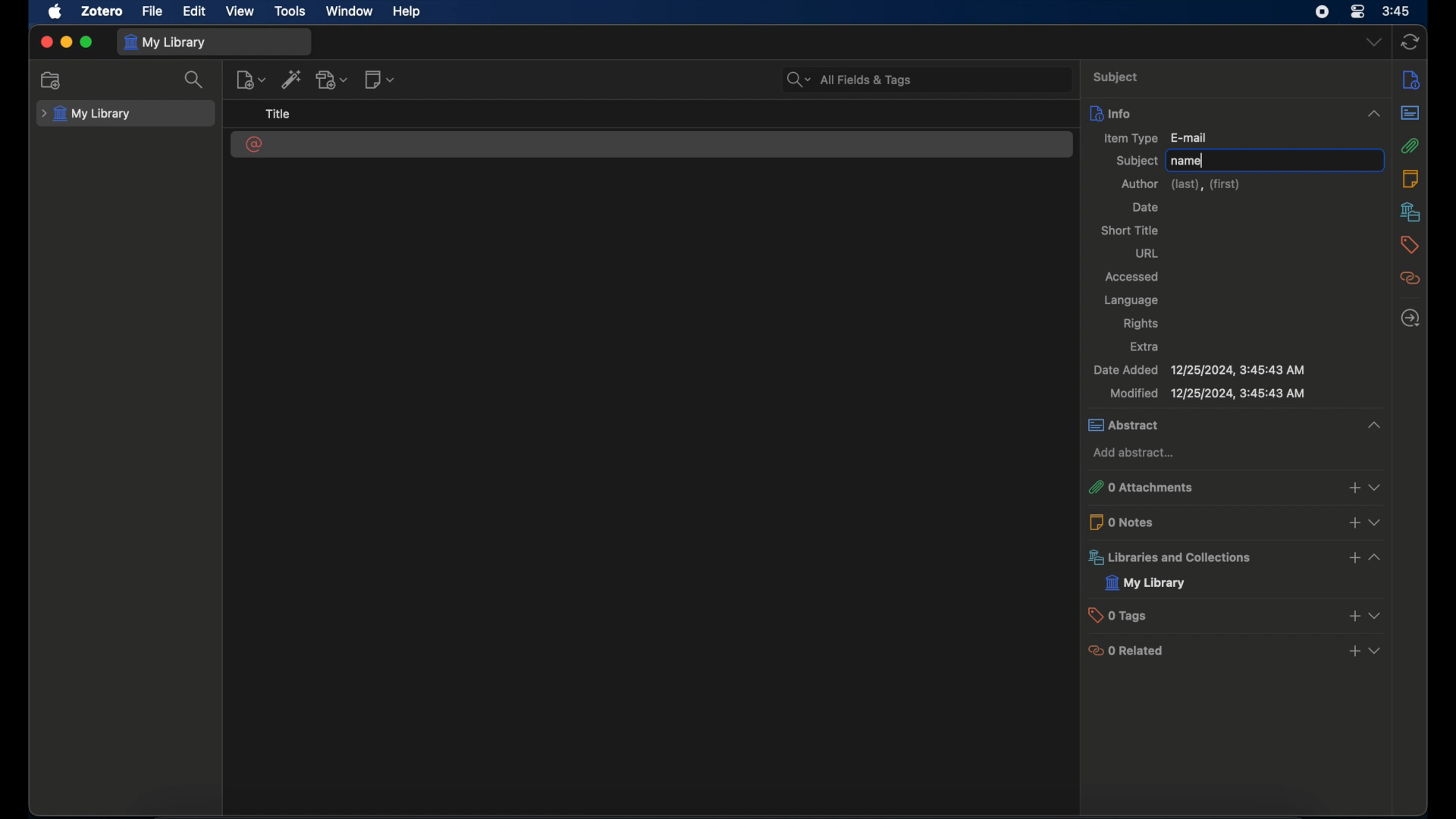  What do you see at coordinates (1237, 486) in the screenshot?
I see `0 attachments` at bounding box center [1237, 486].